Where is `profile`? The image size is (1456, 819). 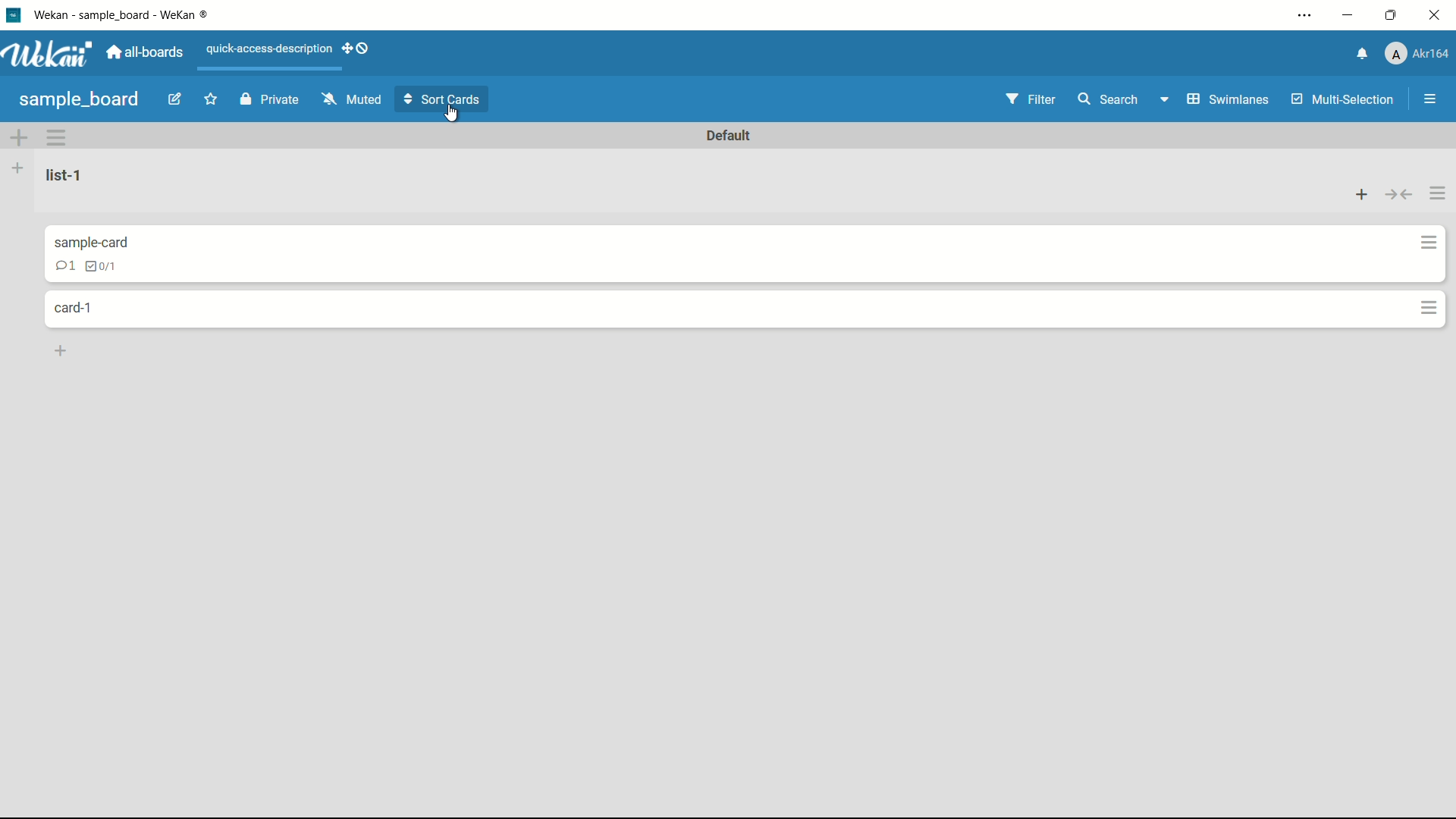 profile is located at coordinates (1417, 53).